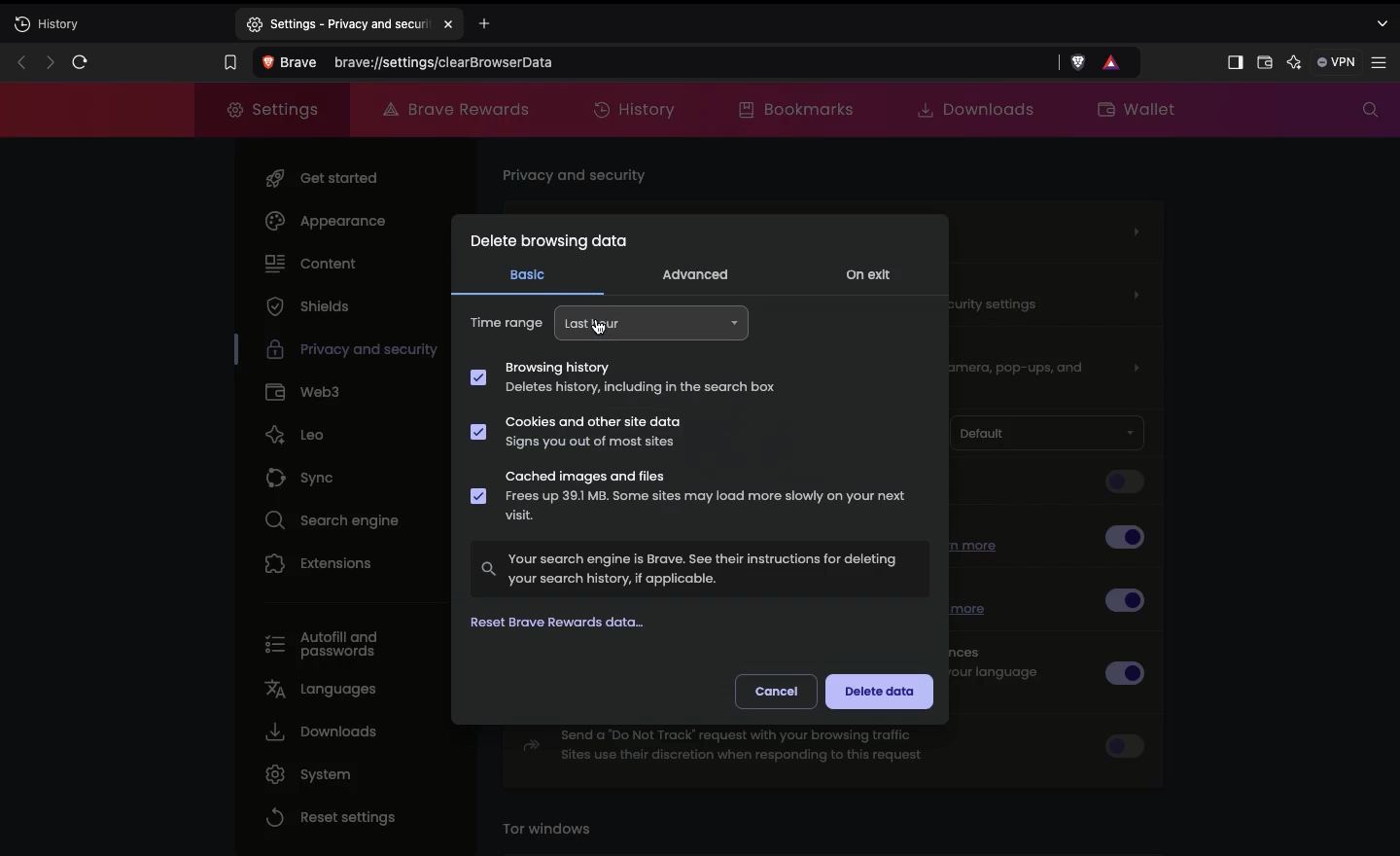 The image size is (1400, 856). I want to click on Delete data, so click(880, 693).